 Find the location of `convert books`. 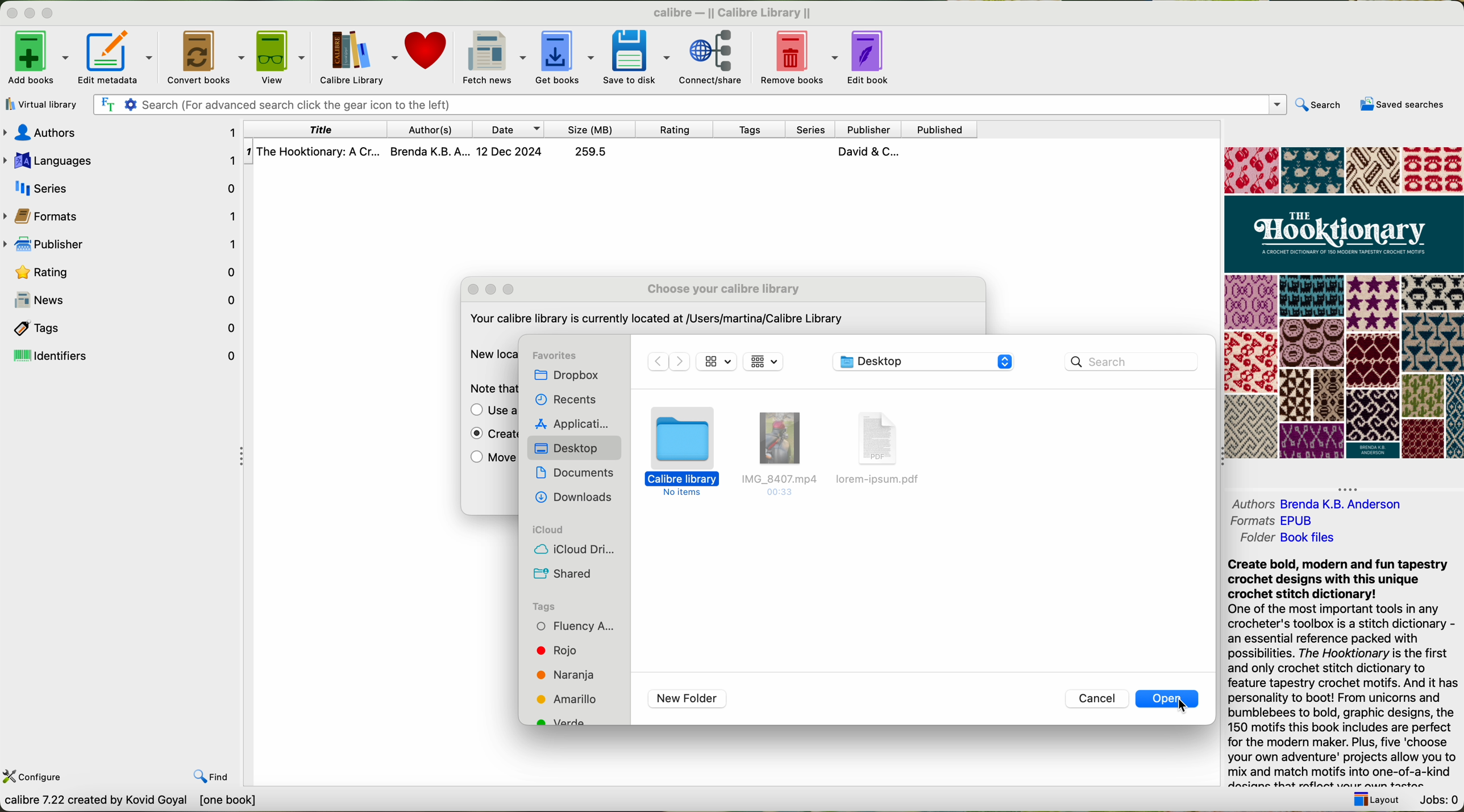

convert books is located at coordinates (204, 56).